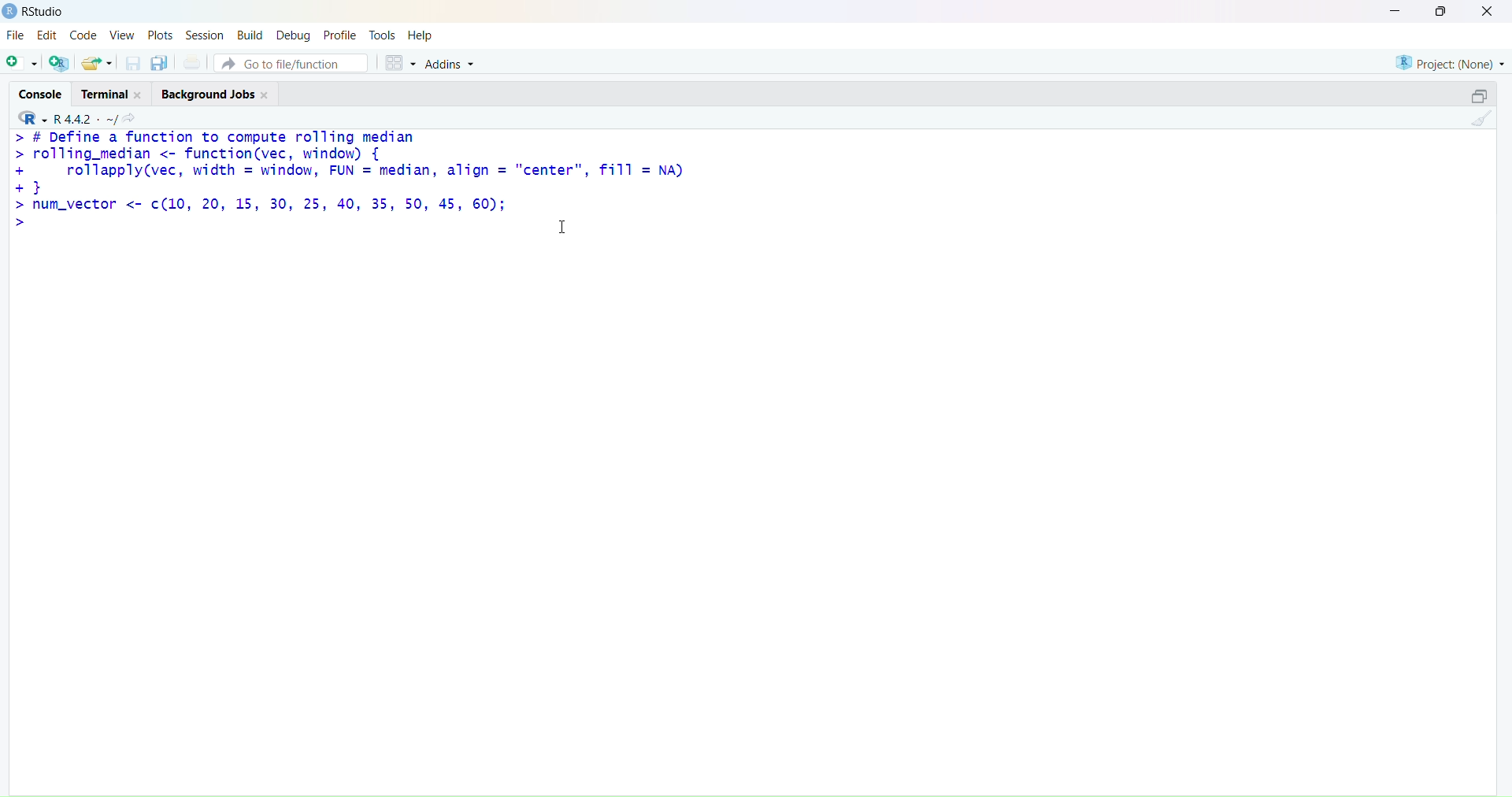  Describe the element at coordinates (206, 36) in the screenshot. I see `session` at that location.